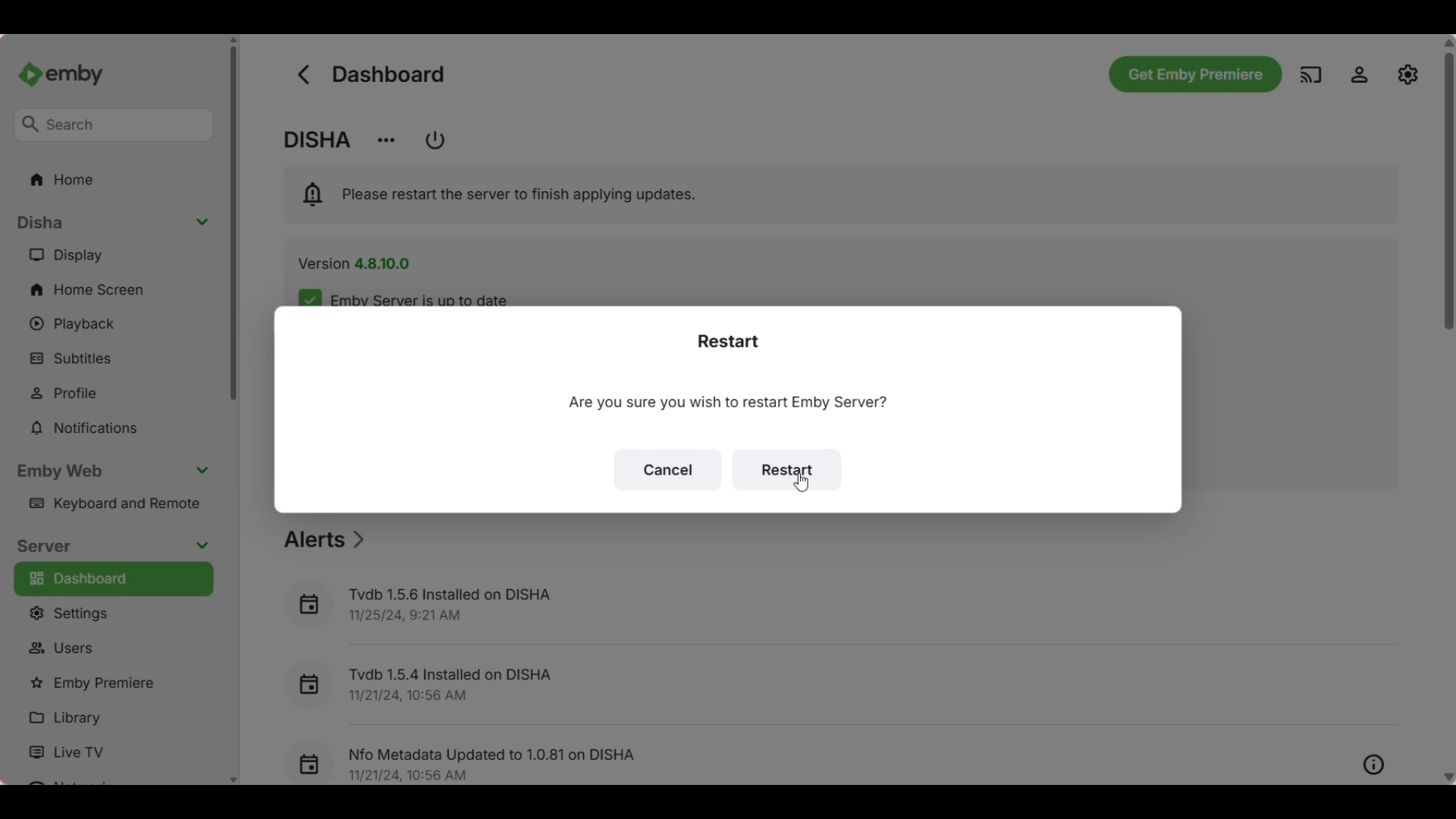 This screenshot has height=819, width=1456. What do you see at coordinates (786, 469) in the screenshot?
I see `Restart` at bounding box center [786, 469].